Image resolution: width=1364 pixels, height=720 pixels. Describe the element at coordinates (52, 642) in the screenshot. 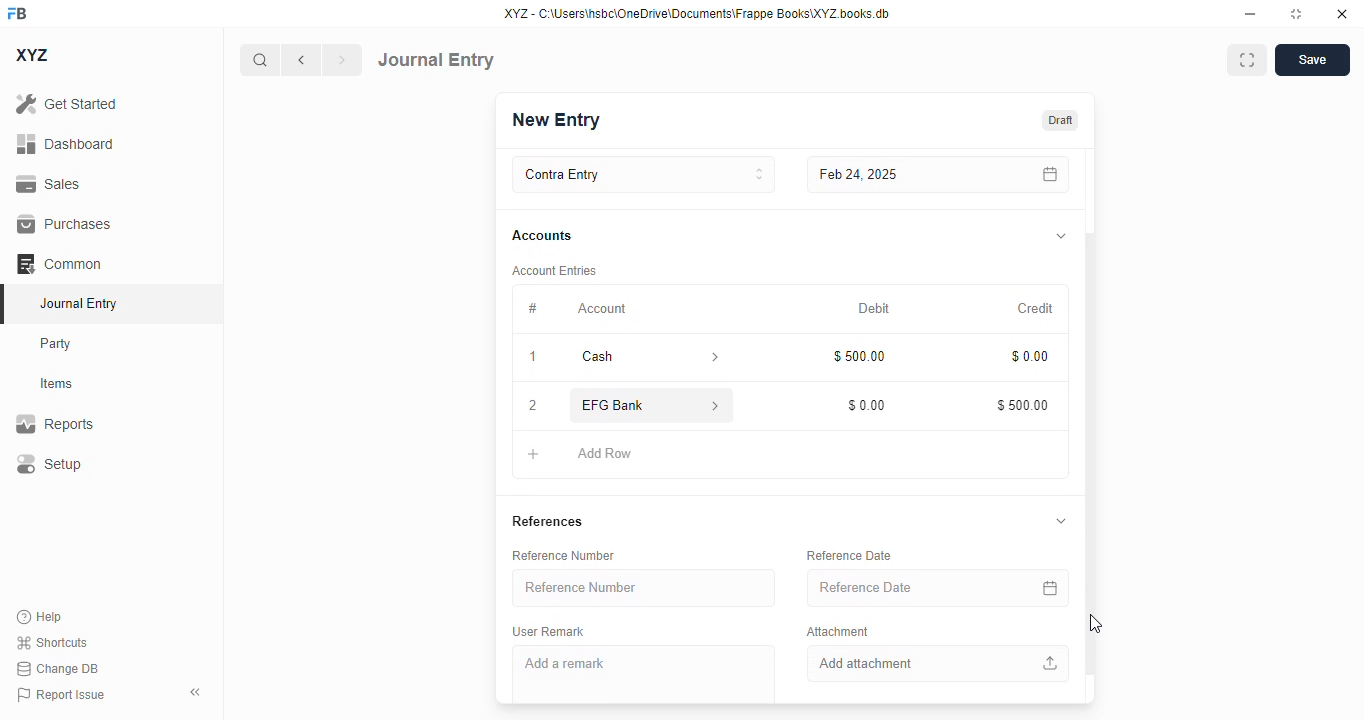

I see `shortcuts` at that location.